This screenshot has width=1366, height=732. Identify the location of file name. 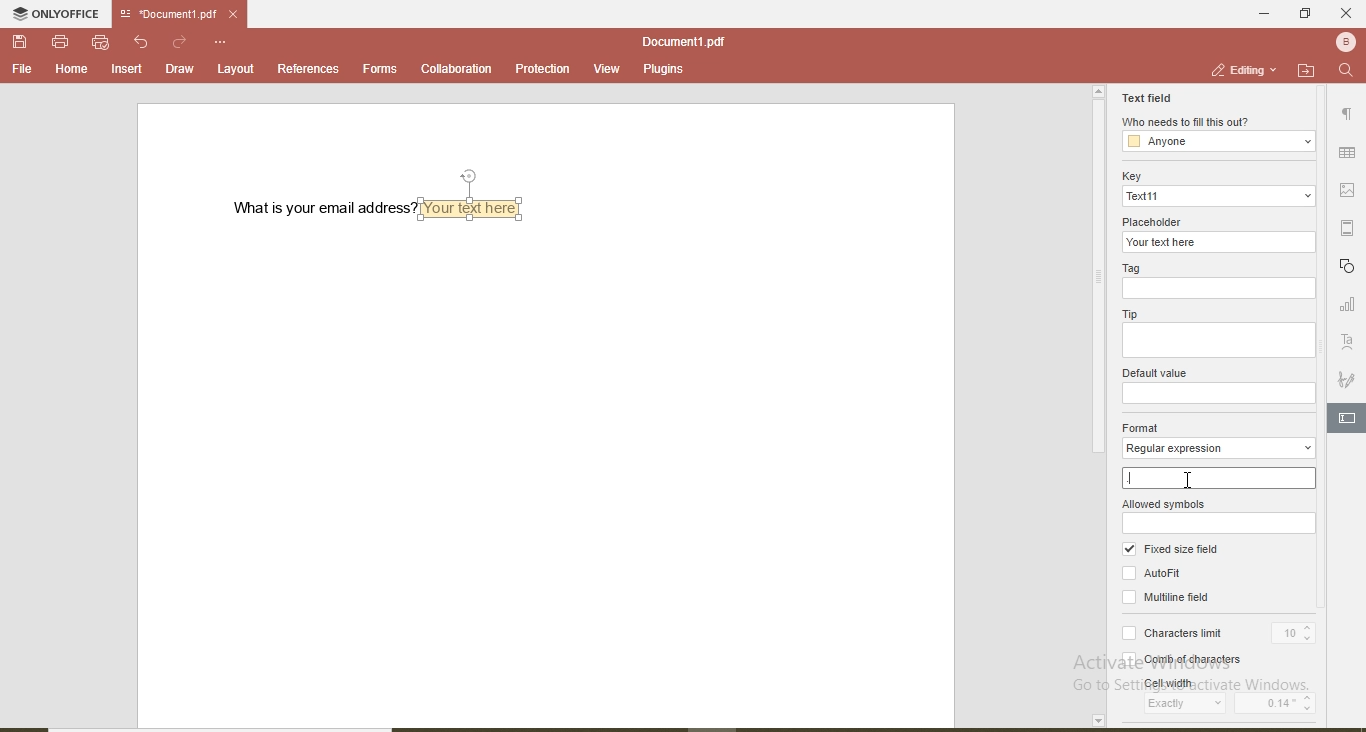
(164, 15).